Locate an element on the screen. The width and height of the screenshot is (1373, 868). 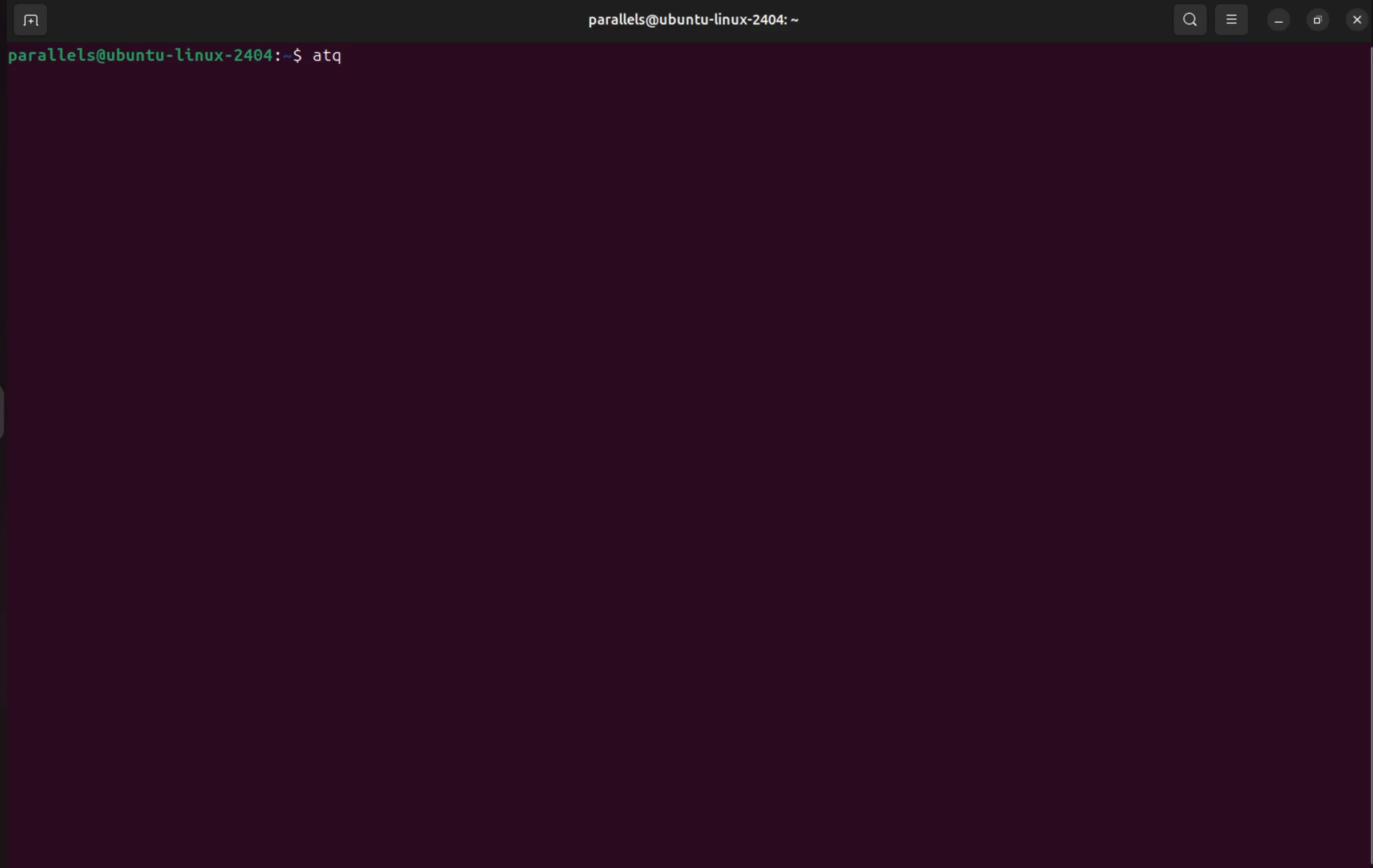
parallels user profile is located at coordinates (699, 21).